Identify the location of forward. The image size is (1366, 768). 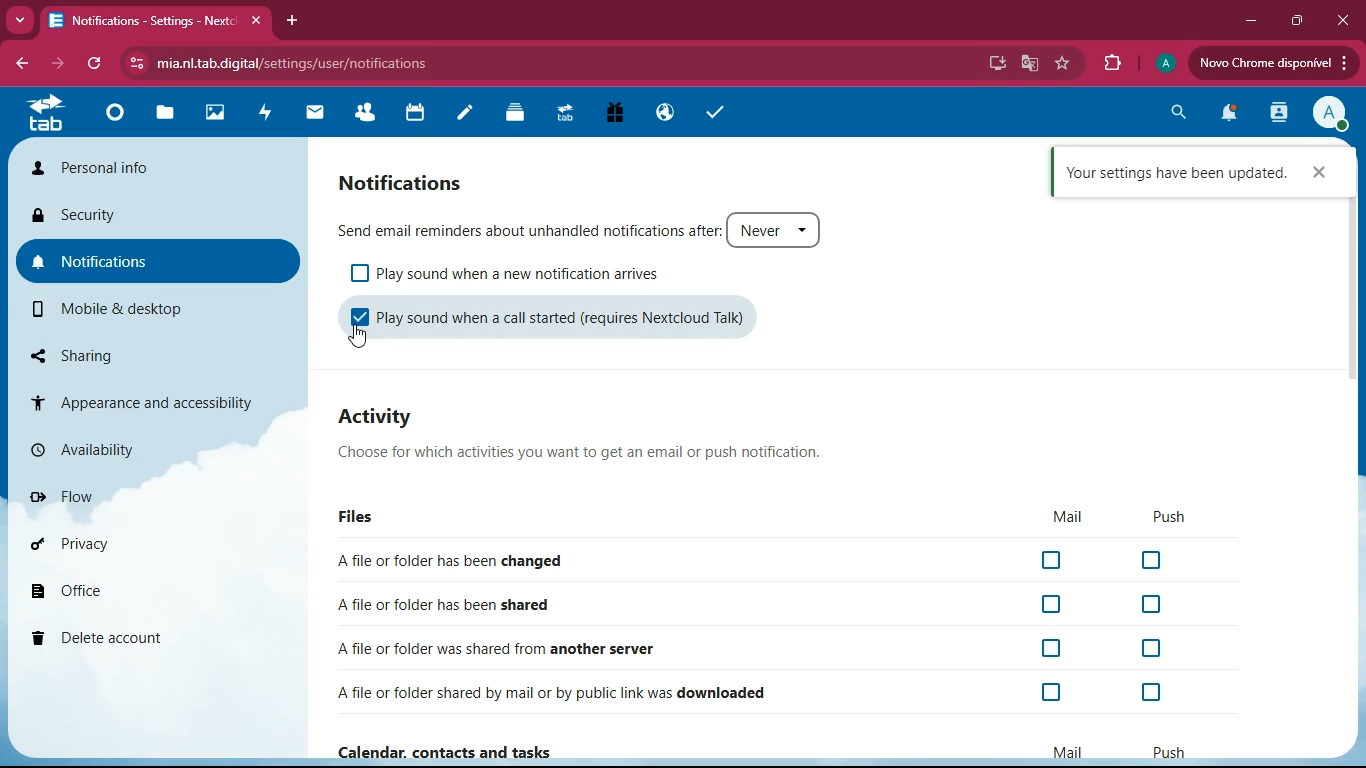
(60, 65).